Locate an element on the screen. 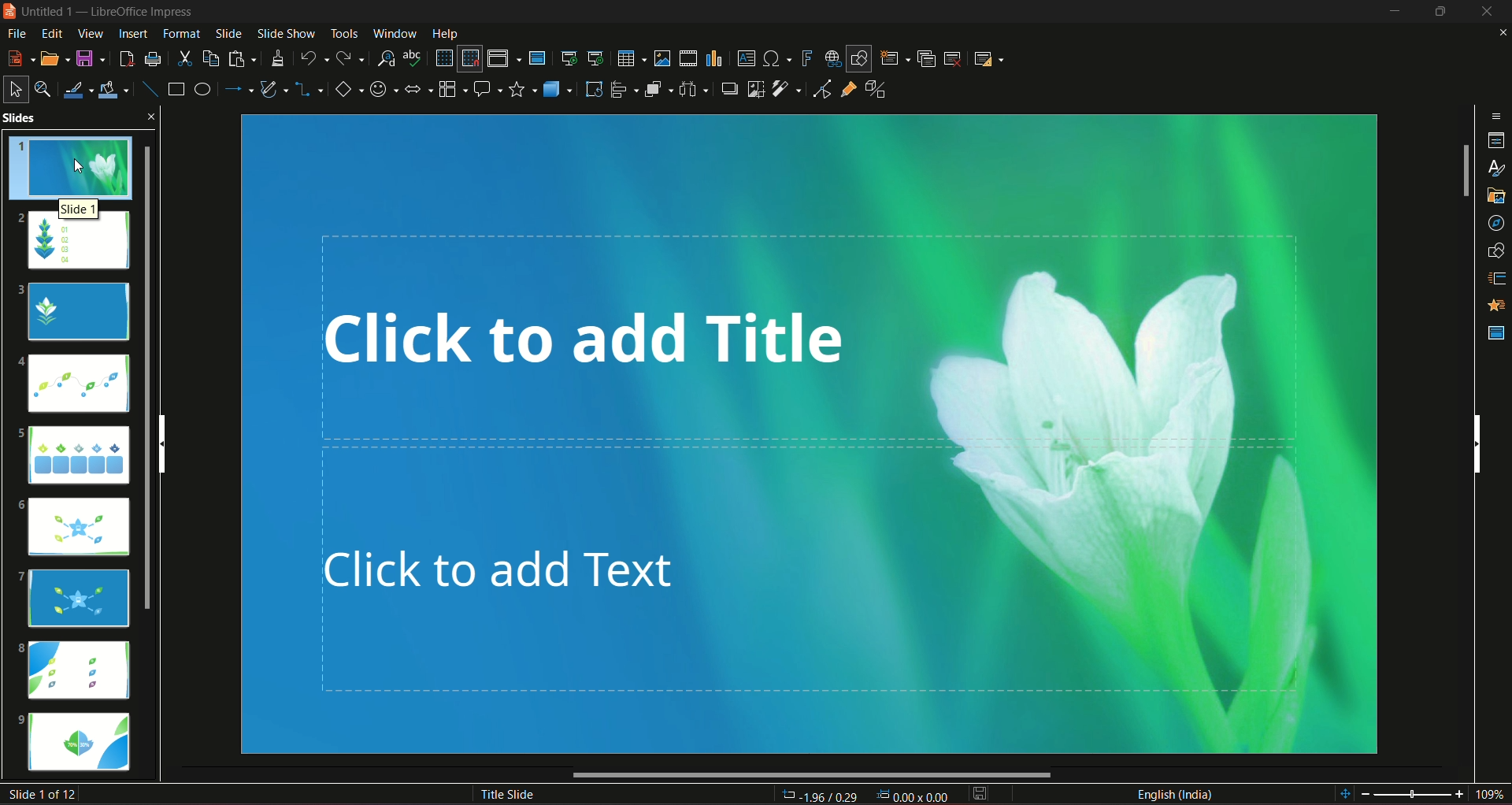 This screenshot has height=805, width=1512. zoom is located at coordinates (1421, 792).